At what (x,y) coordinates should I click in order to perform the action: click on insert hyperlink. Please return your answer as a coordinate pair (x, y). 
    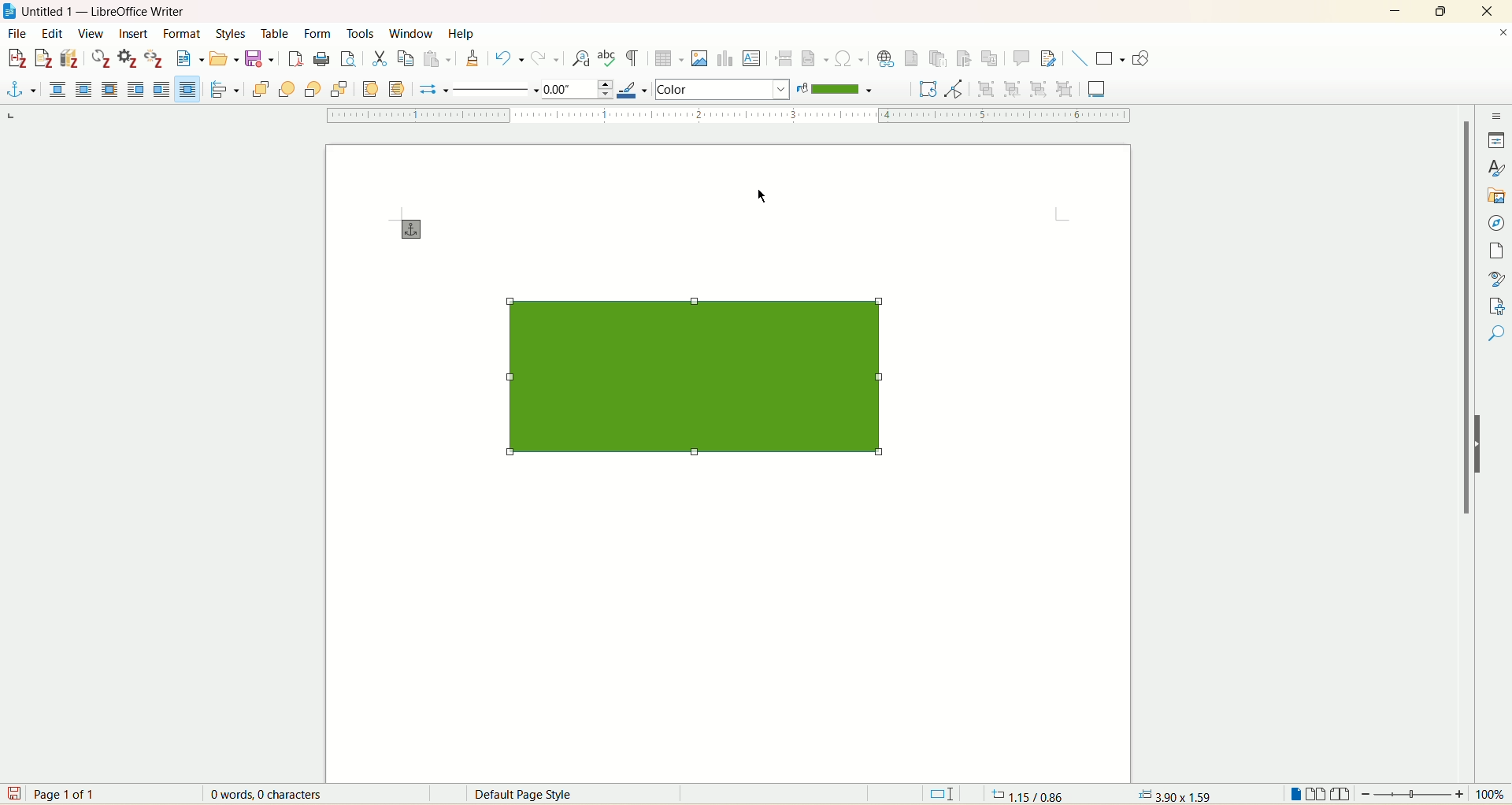
    Looking at the image, I should click on (885, 59).